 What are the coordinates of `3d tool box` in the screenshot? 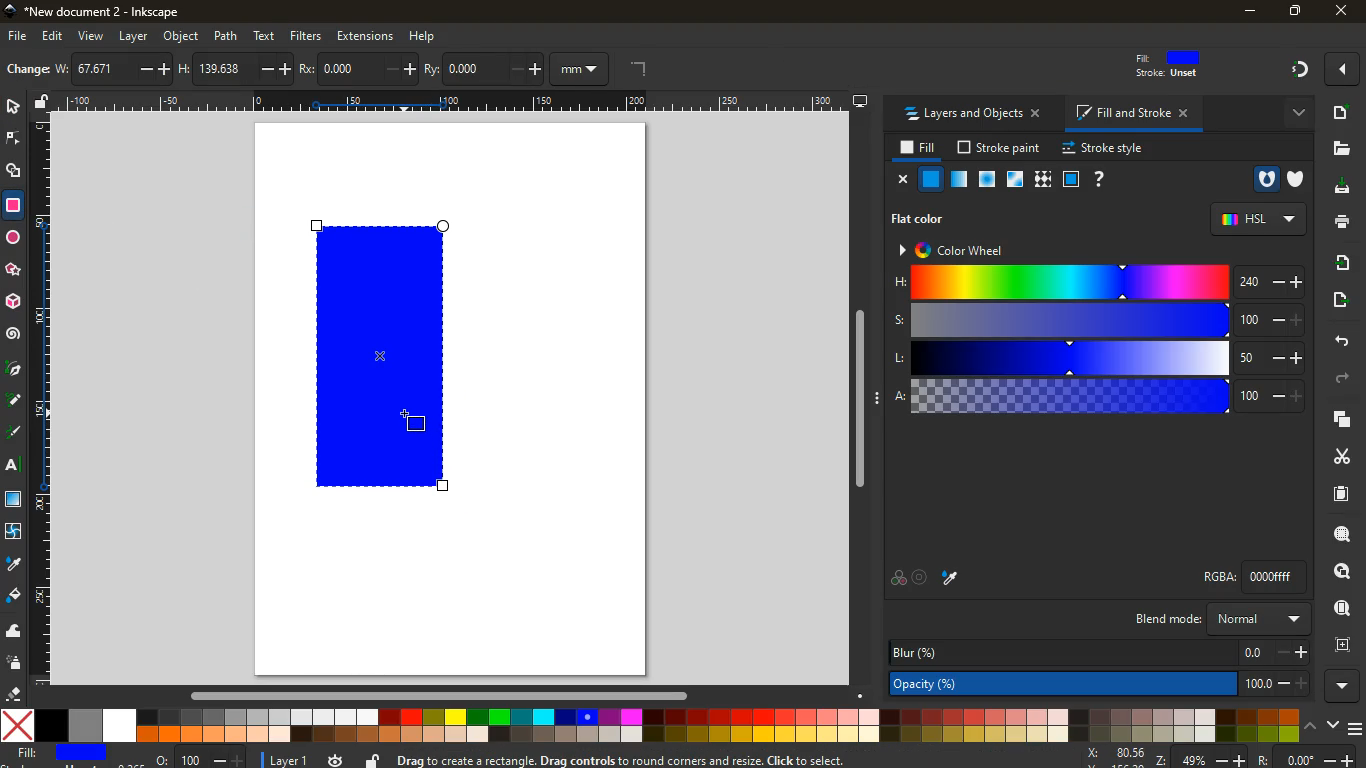 It's located at (13, 303).